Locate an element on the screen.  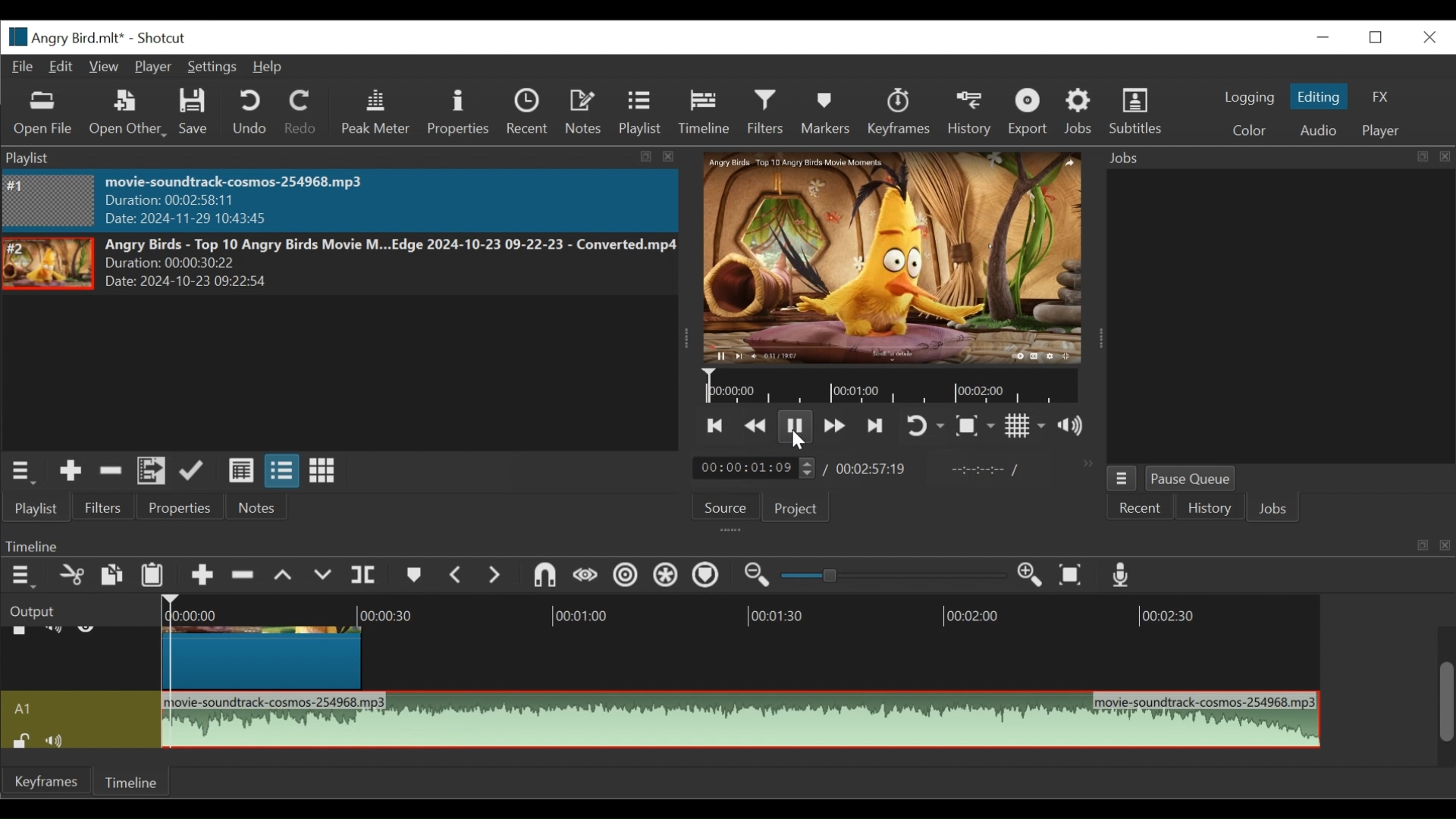
Toggle display grid on the player is located at coordinates (1026, 427).